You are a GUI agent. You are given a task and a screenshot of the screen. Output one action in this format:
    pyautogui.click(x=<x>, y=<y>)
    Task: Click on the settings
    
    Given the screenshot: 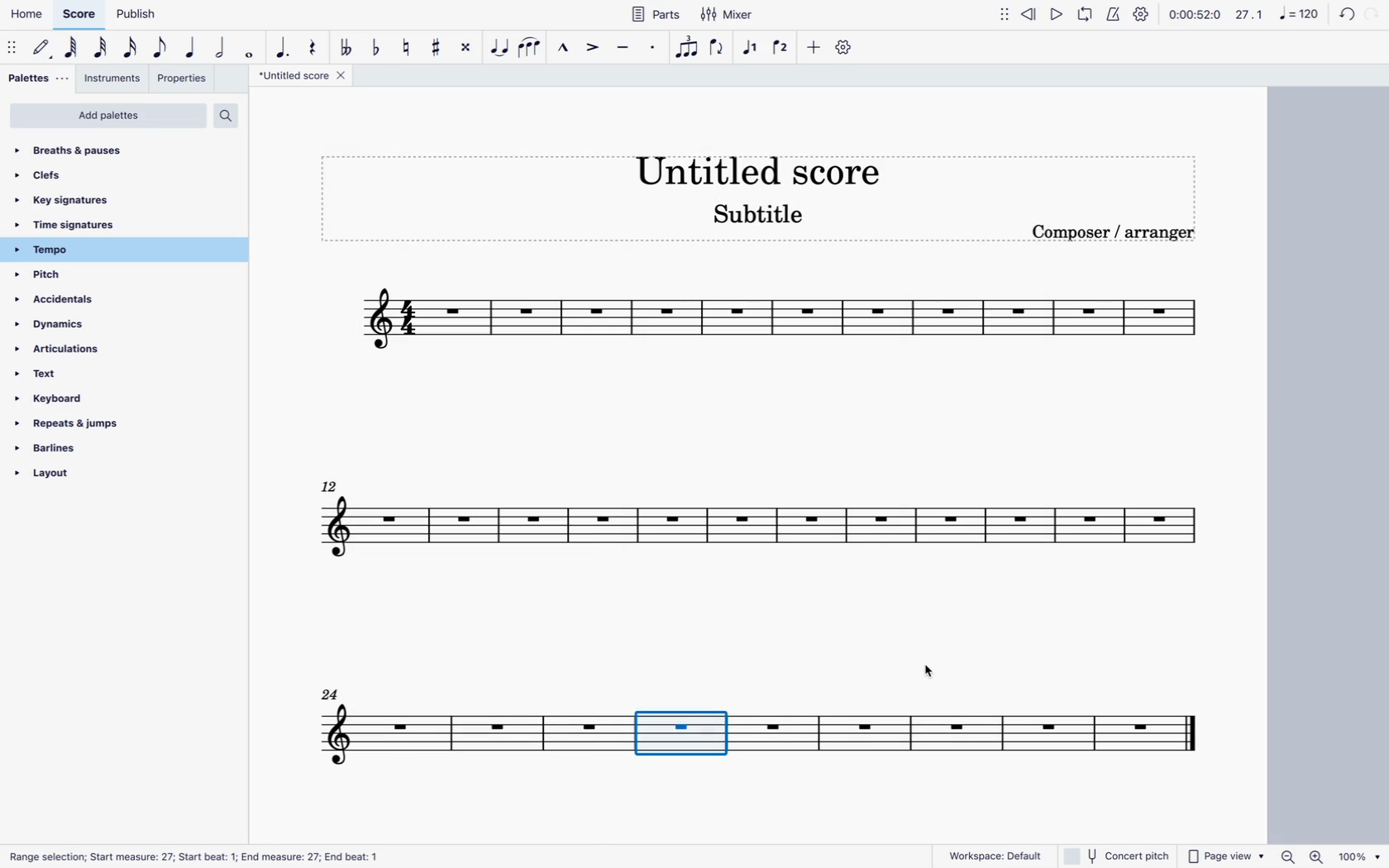 What is the action you would take?
    pyautogui.click(x=1143, y=16)
    